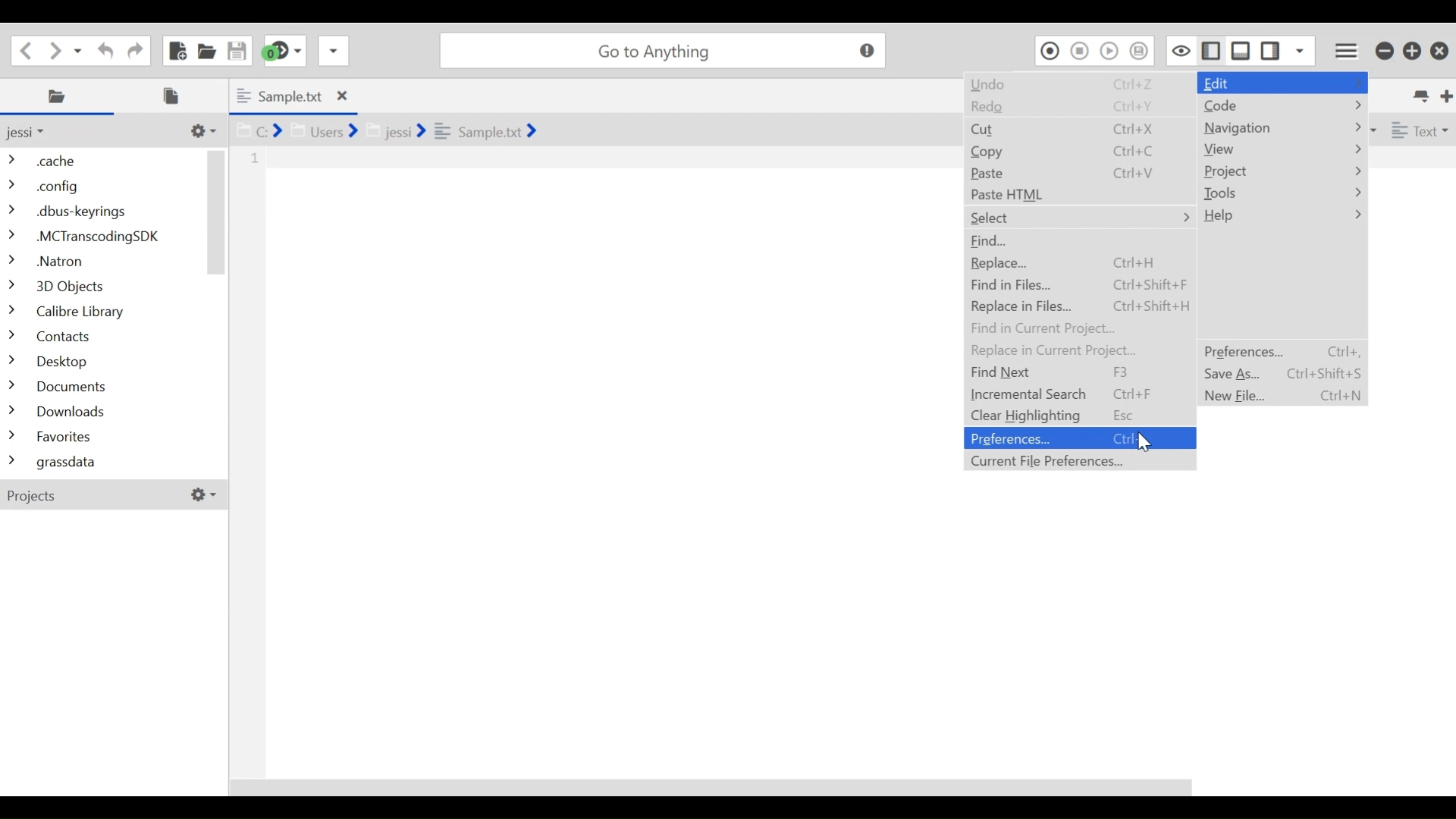 This screenshot has height=819, width=1456. What do you see at coordinates (1413, 51) in the screenshot?
I see `Restore` at bounding box center [1413, 51].